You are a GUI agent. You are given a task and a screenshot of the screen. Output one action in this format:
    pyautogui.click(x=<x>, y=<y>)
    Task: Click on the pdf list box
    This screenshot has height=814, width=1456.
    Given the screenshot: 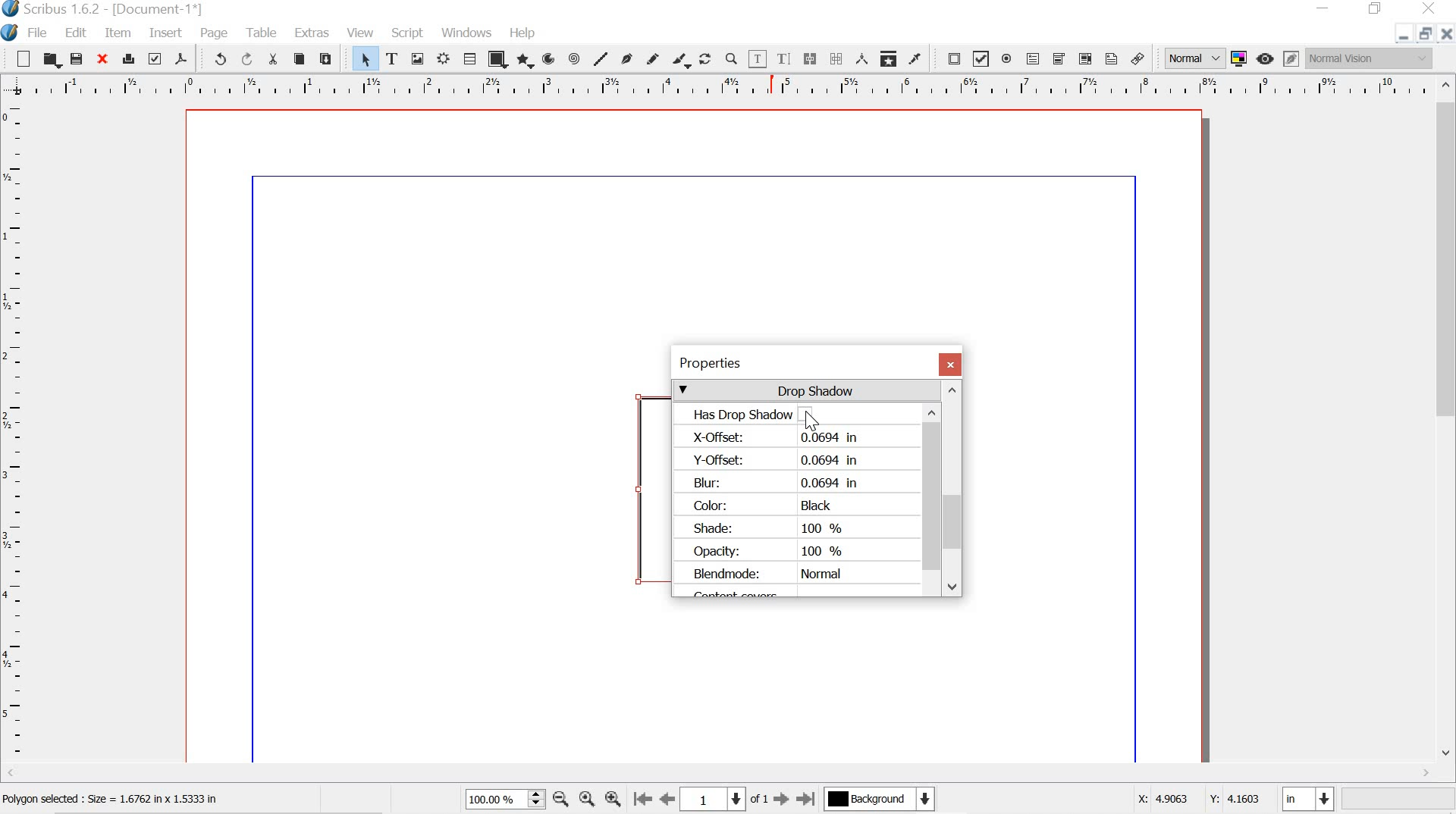 What is the action you would take?
    pyautogui.click(x=1084, y=58)
    